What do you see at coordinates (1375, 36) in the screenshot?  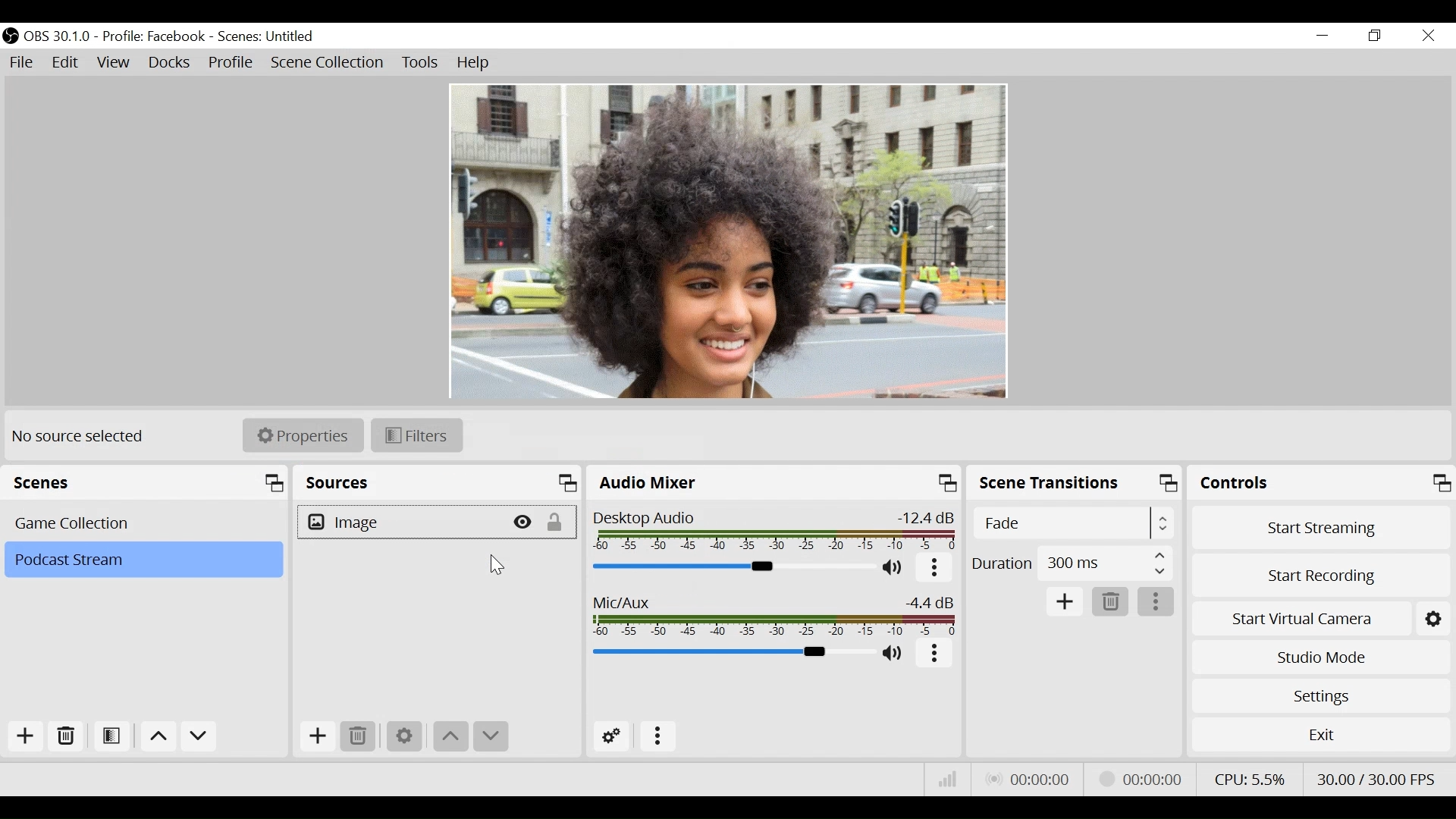 I see `Restore` at bounding box center [1375, 36].